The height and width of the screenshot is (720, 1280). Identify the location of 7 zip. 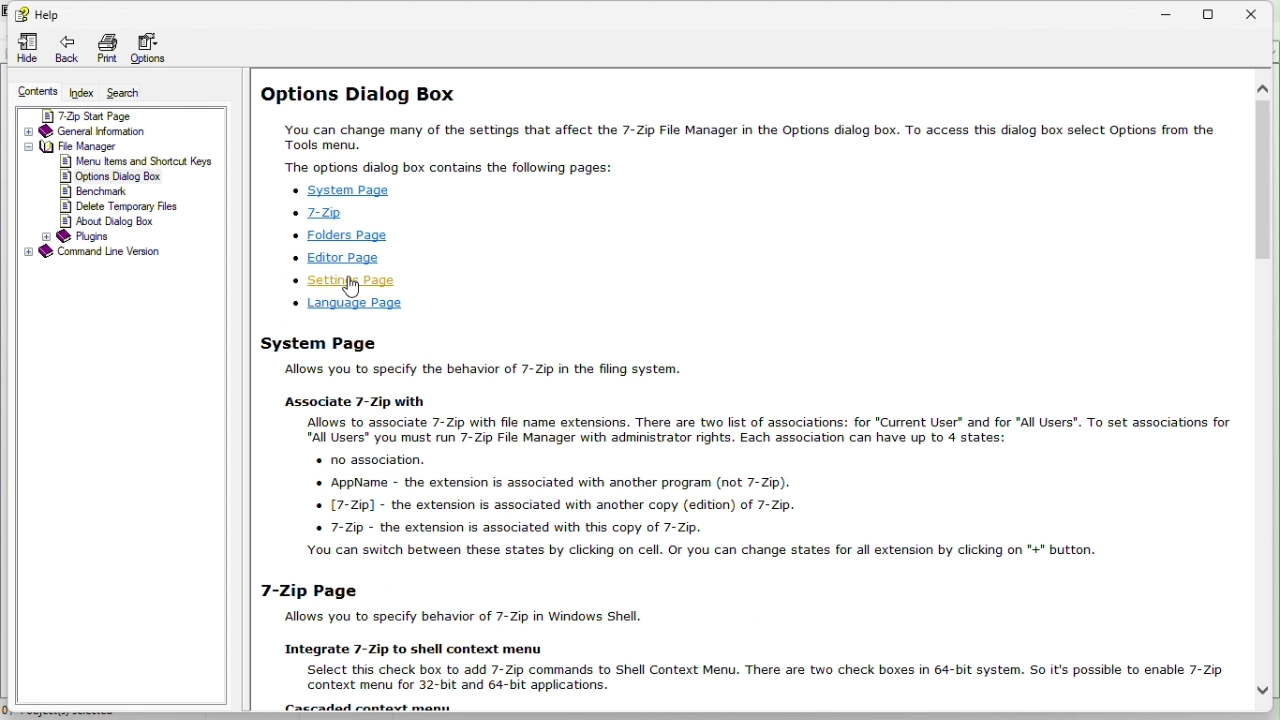
(320, 213).